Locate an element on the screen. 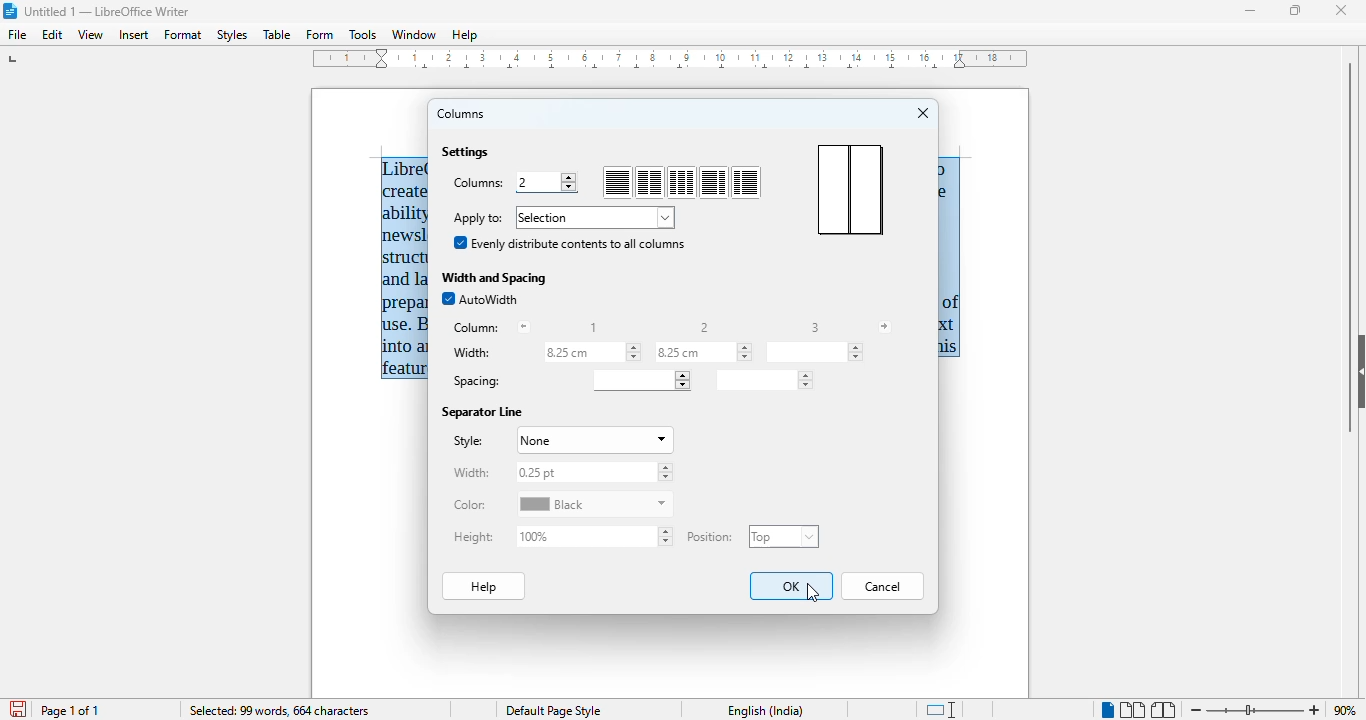 The width and height of the screenshot is (1366, 720). height:  is located at coordinates (474, 537).